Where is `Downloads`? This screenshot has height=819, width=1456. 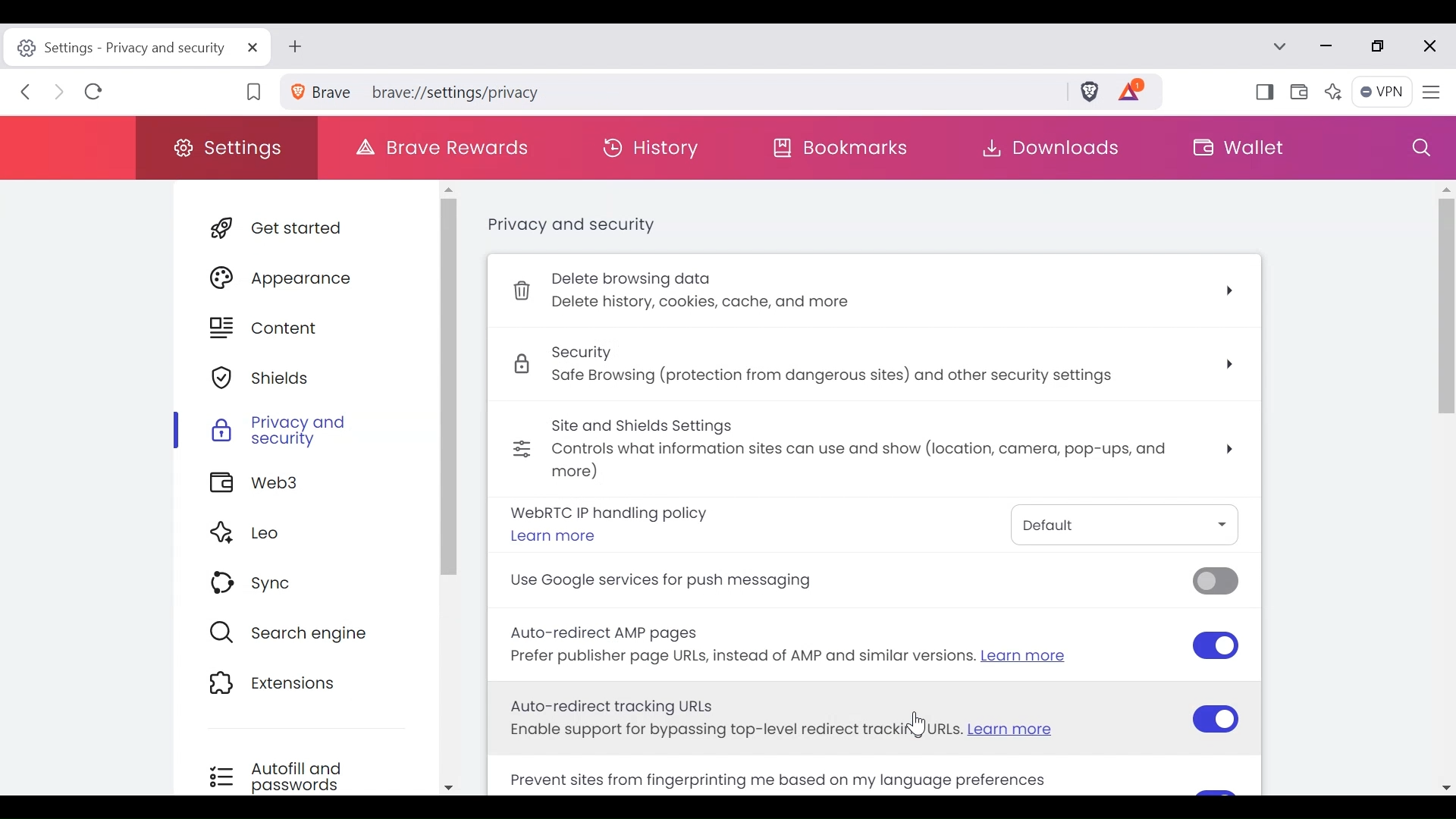 Downloads is located at coordinates (1047, 148).